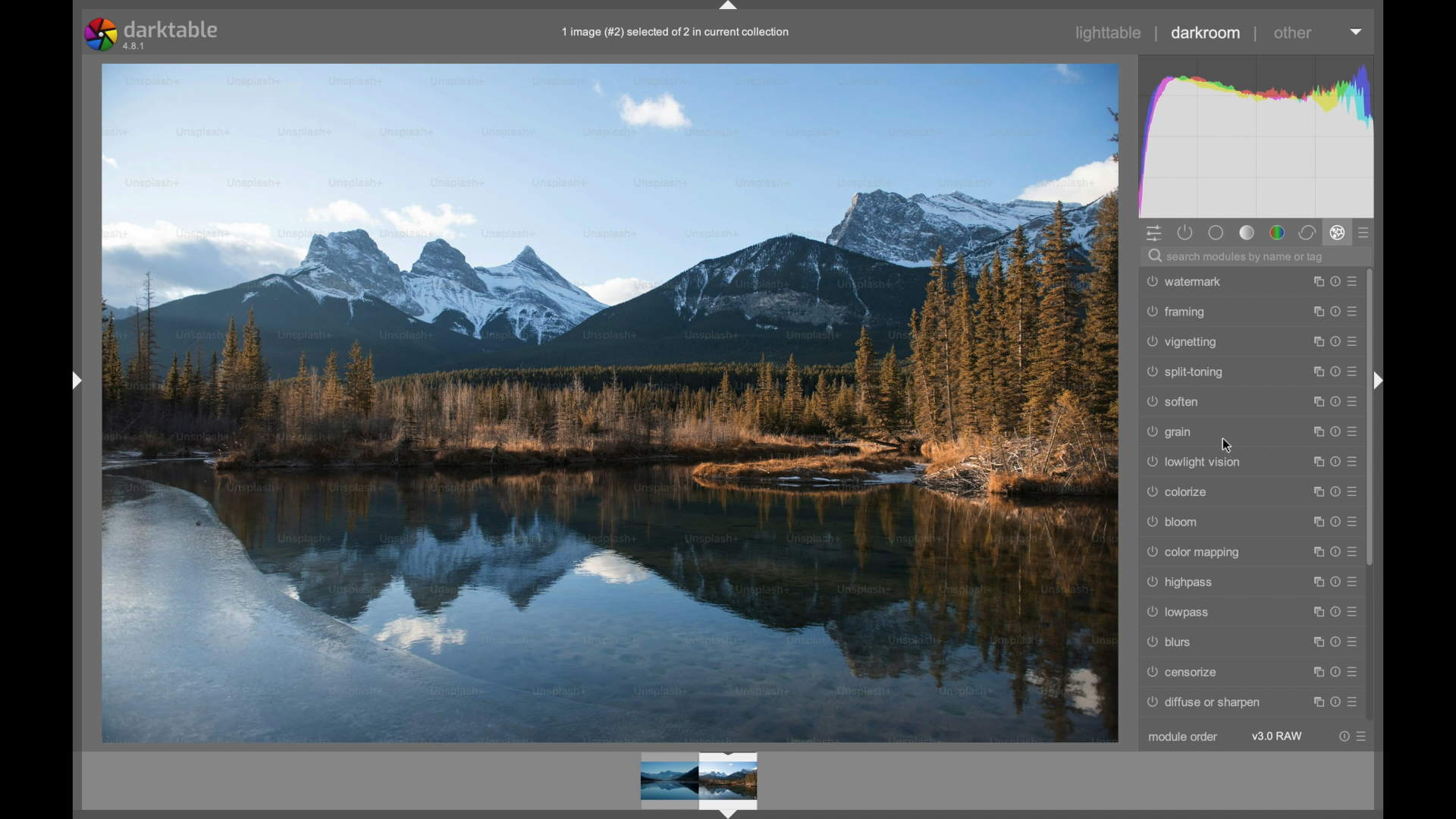 This screenshot has height=819, width=1456. What do you see at coordinates (1178, 613) in the screenshot?
I see `lowpass` at bounding box center [1178, 613].